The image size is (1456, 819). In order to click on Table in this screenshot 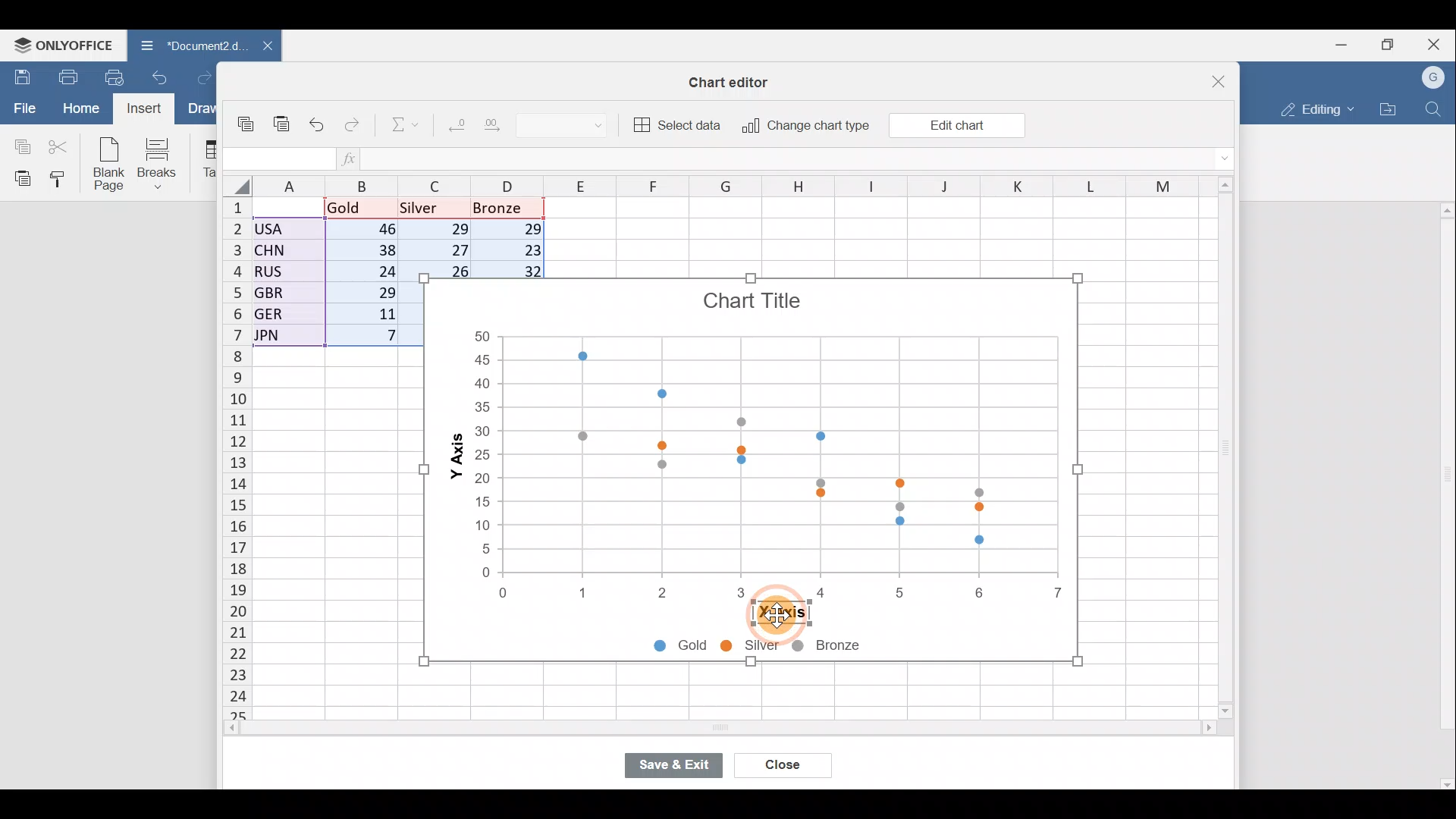, I will do `click(208, 160)`.